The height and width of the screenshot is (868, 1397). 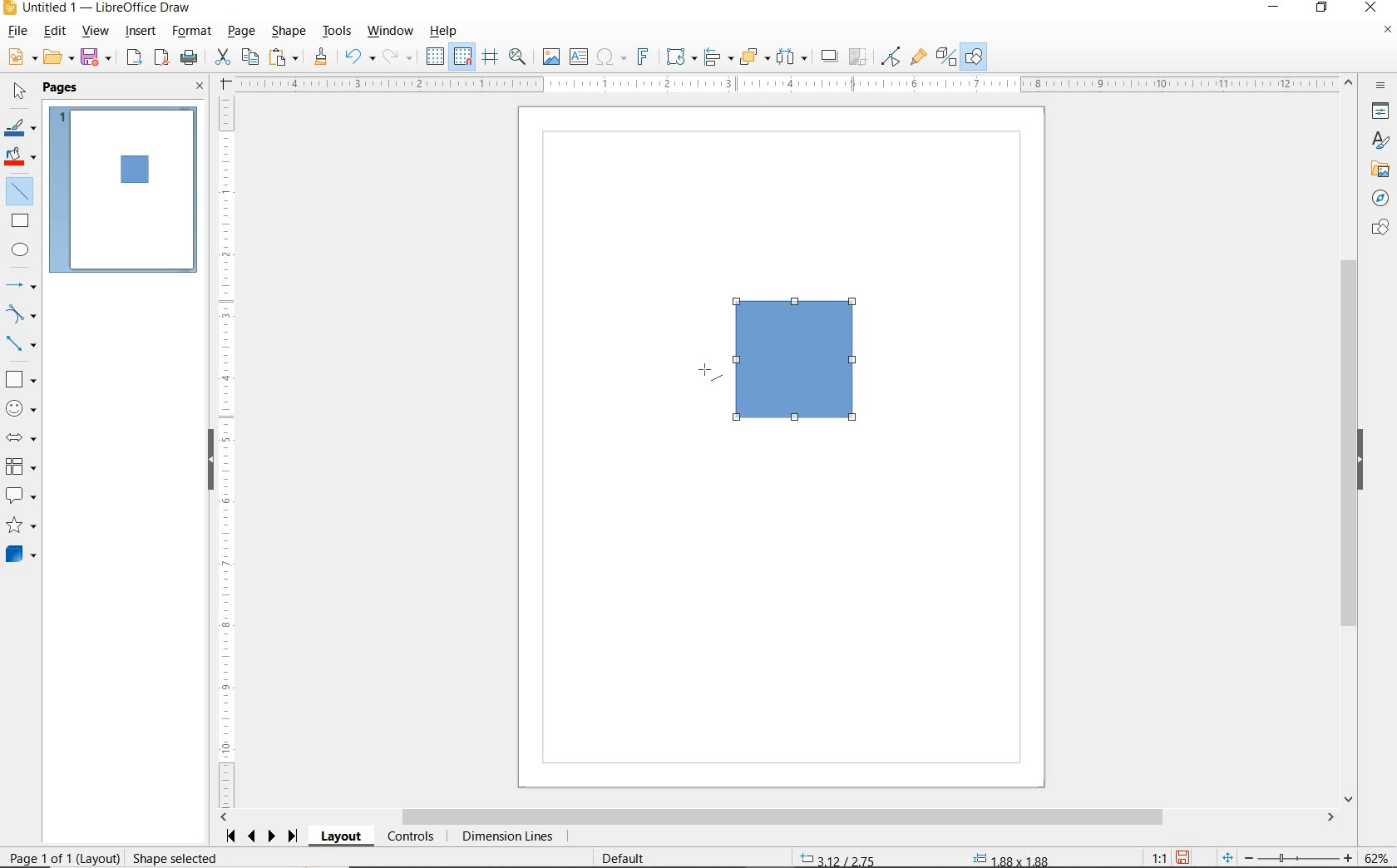 I want to click on STARS AND BANNERS, so click(x=21, y=526).